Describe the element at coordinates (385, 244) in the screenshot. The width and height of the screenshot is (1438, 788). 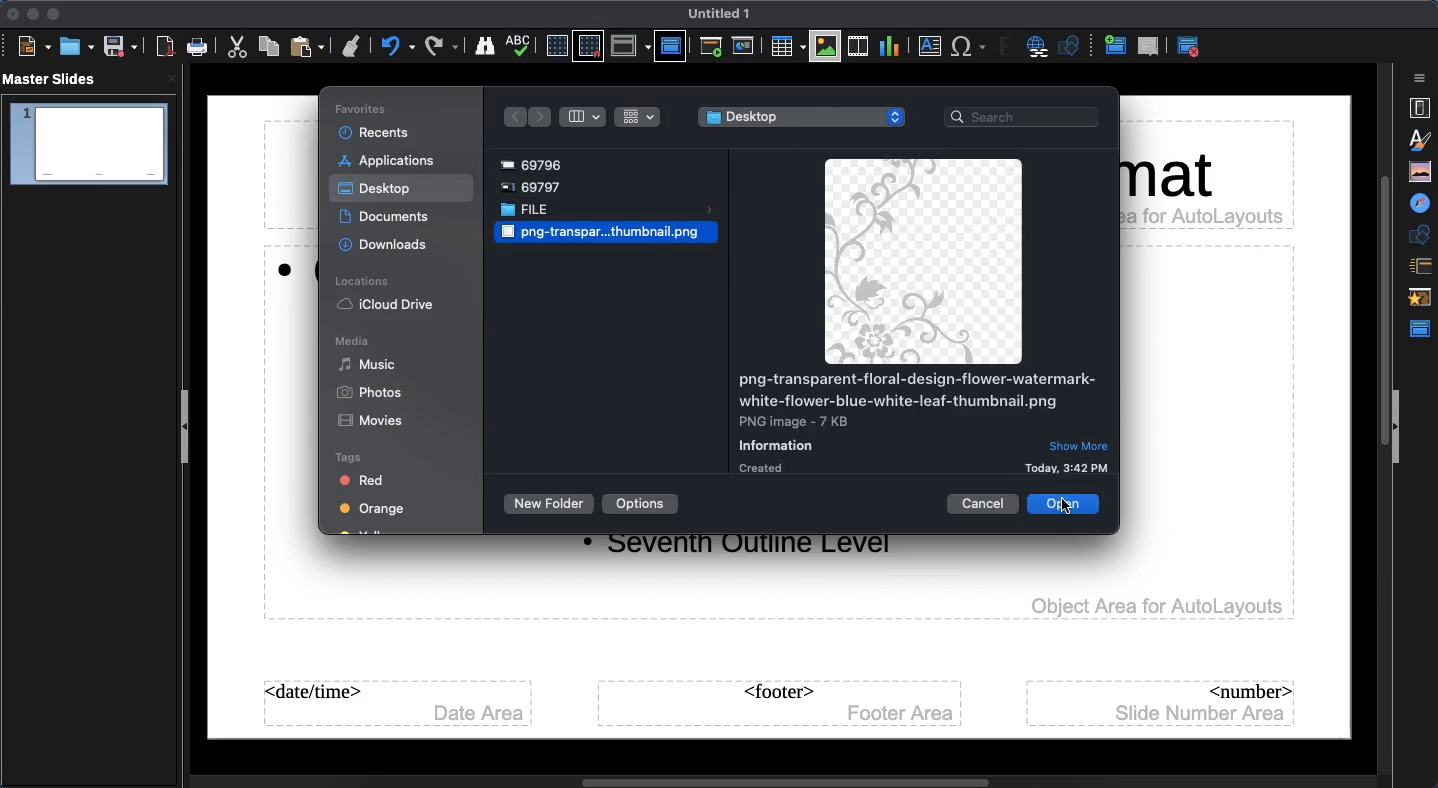
I see `Downloads` at that location.